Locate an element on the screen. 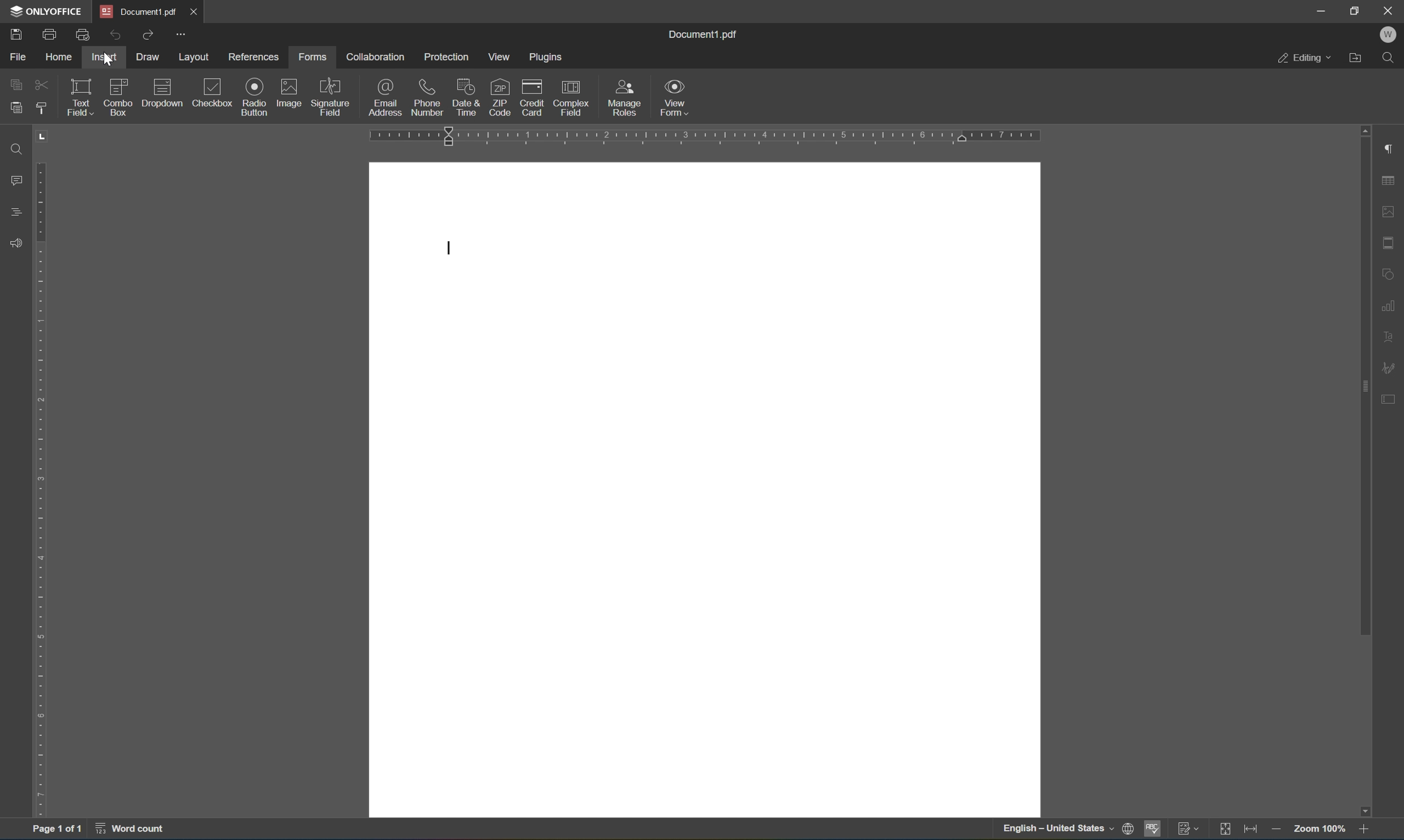 Image resolution: width=1404 pixels, height=840 pixels. Document1.pdf is located at coordinates (138, 11).